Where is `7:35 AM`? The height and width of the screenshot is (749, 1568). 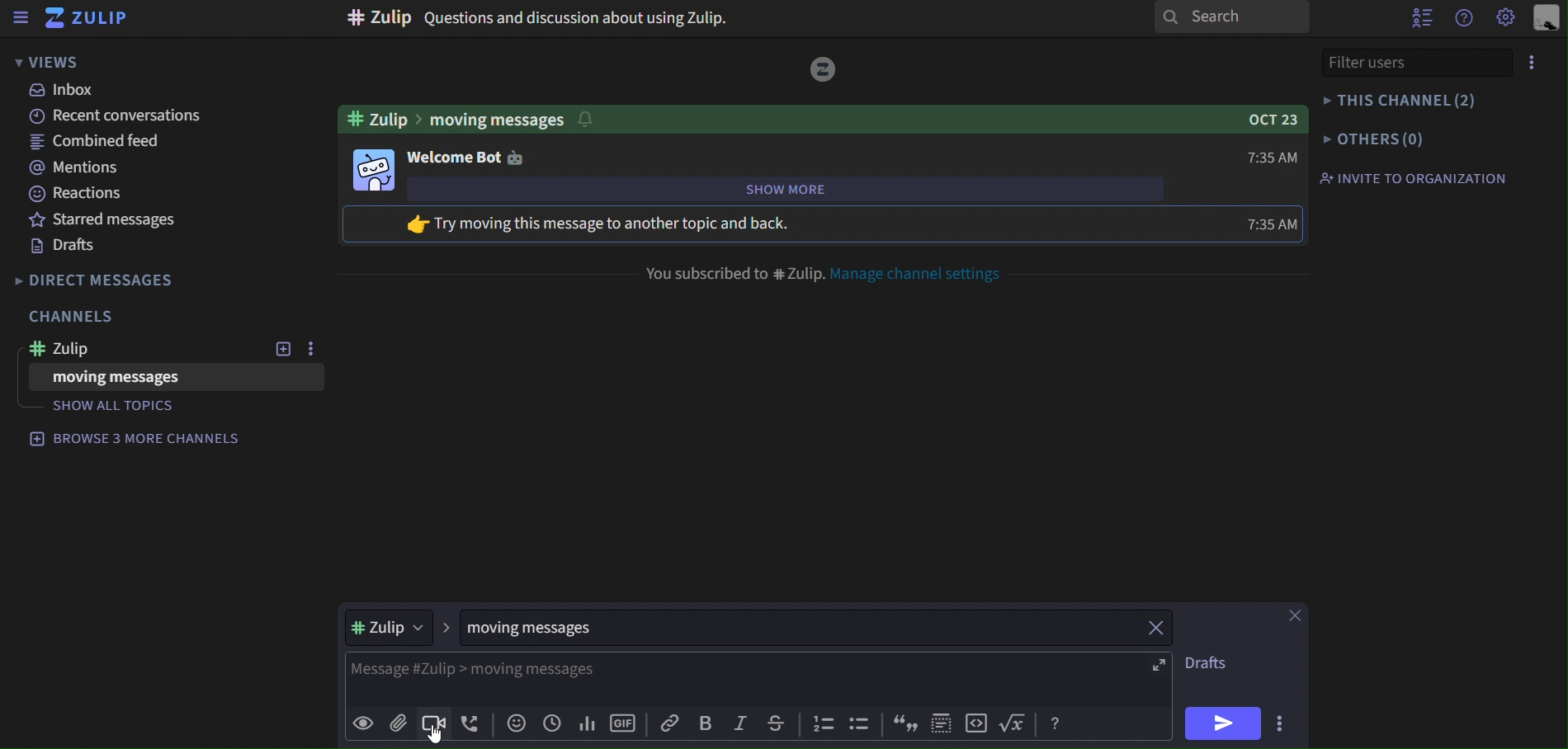 7:35 AM is located at coordinates (1275, 224).